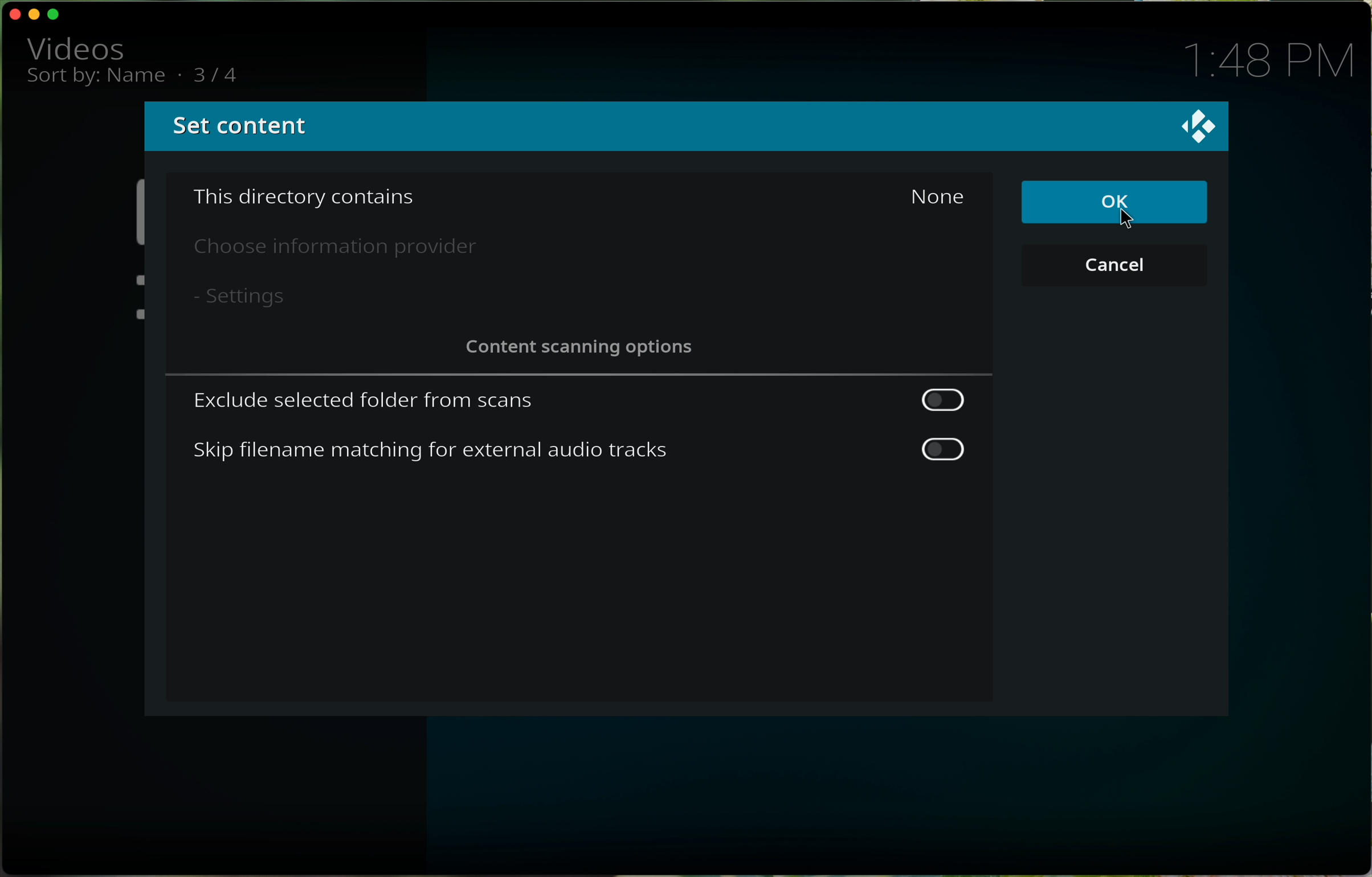 Image resolution: width=1372 pixels, height=877 pixels. What do you see at coordinates (36, 13) in the screenshot?
I see `minimise` at bounding box center [36, 13].